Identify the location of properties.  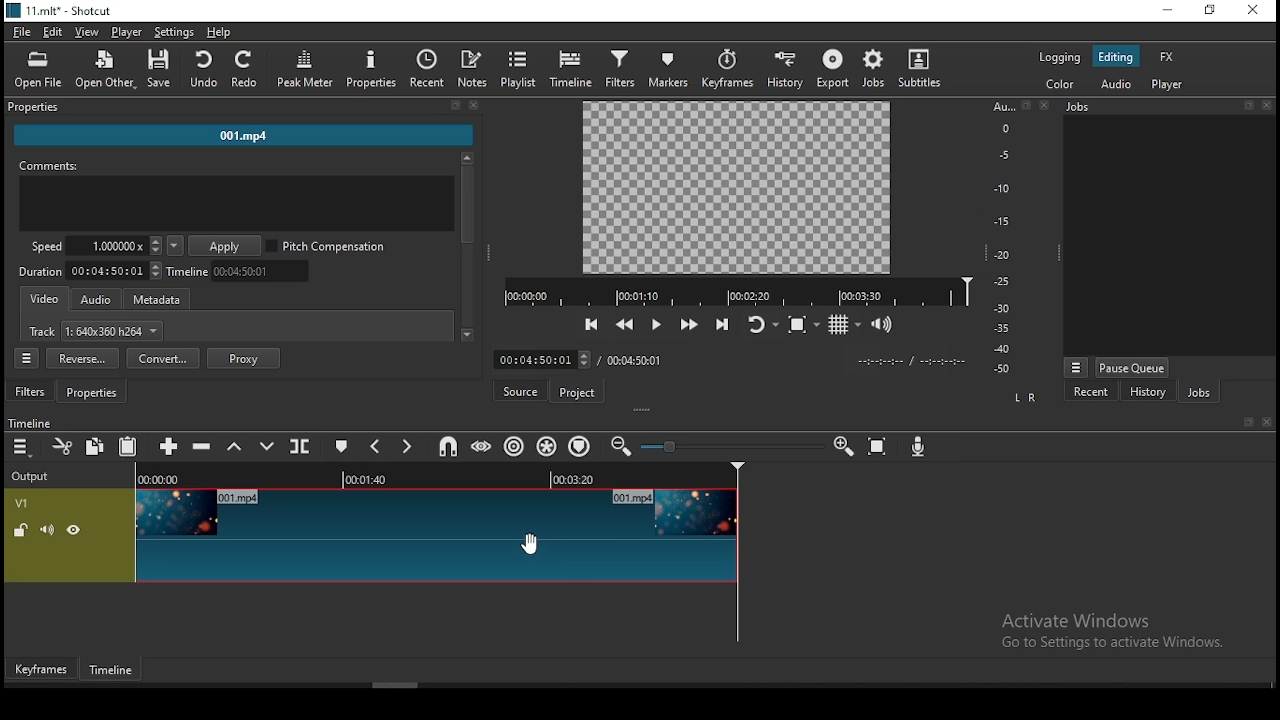
(91, 393).